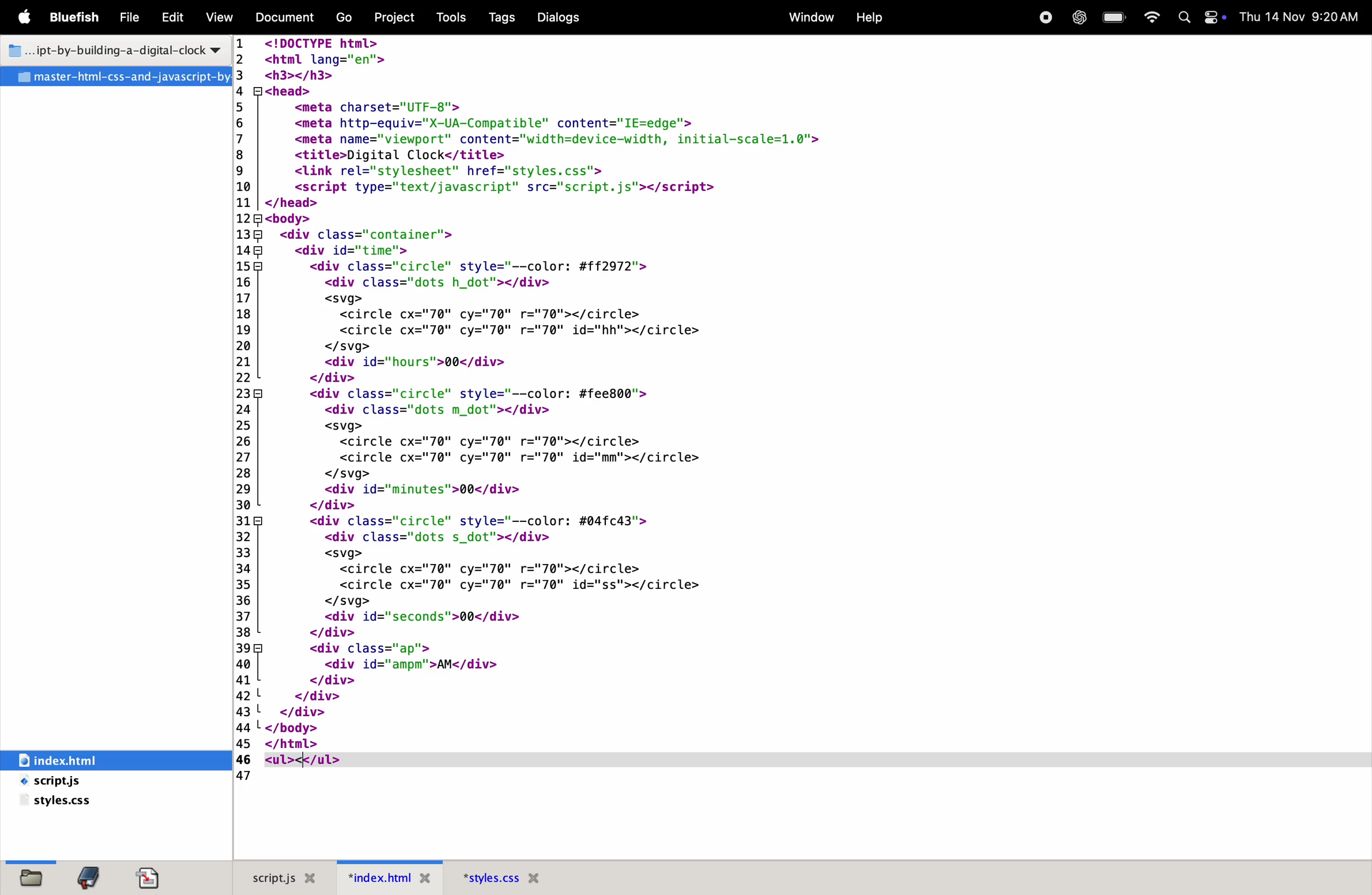 The image size is (1372, 895). I want to click on File, so click(131, 18).